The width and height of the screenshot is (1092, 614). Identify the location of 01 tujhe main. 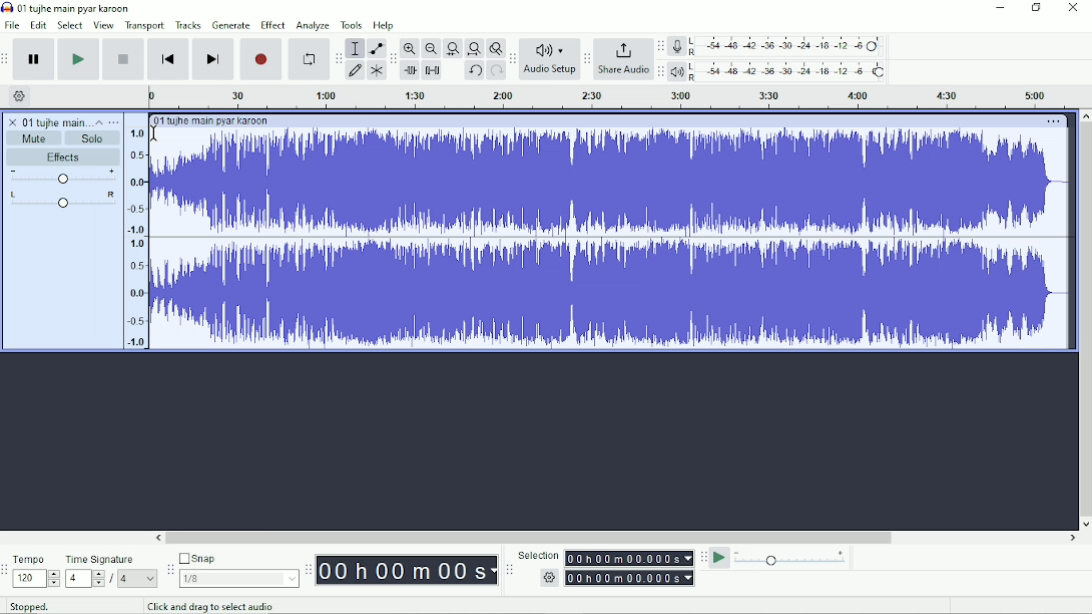
(55, 121).